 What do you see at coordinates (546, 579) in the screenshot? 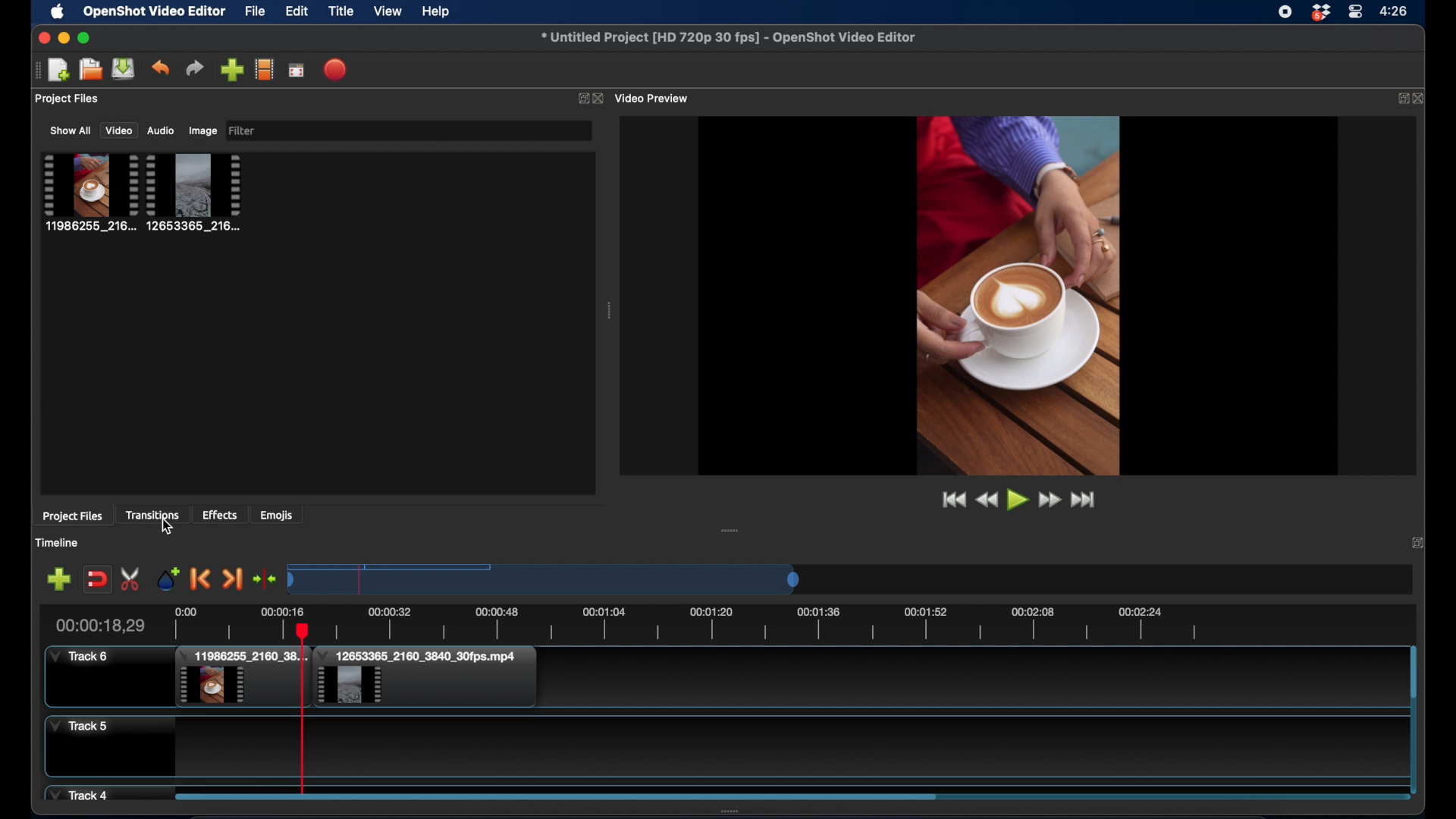
I see `timeline scale` at bounding box center [546, 579].